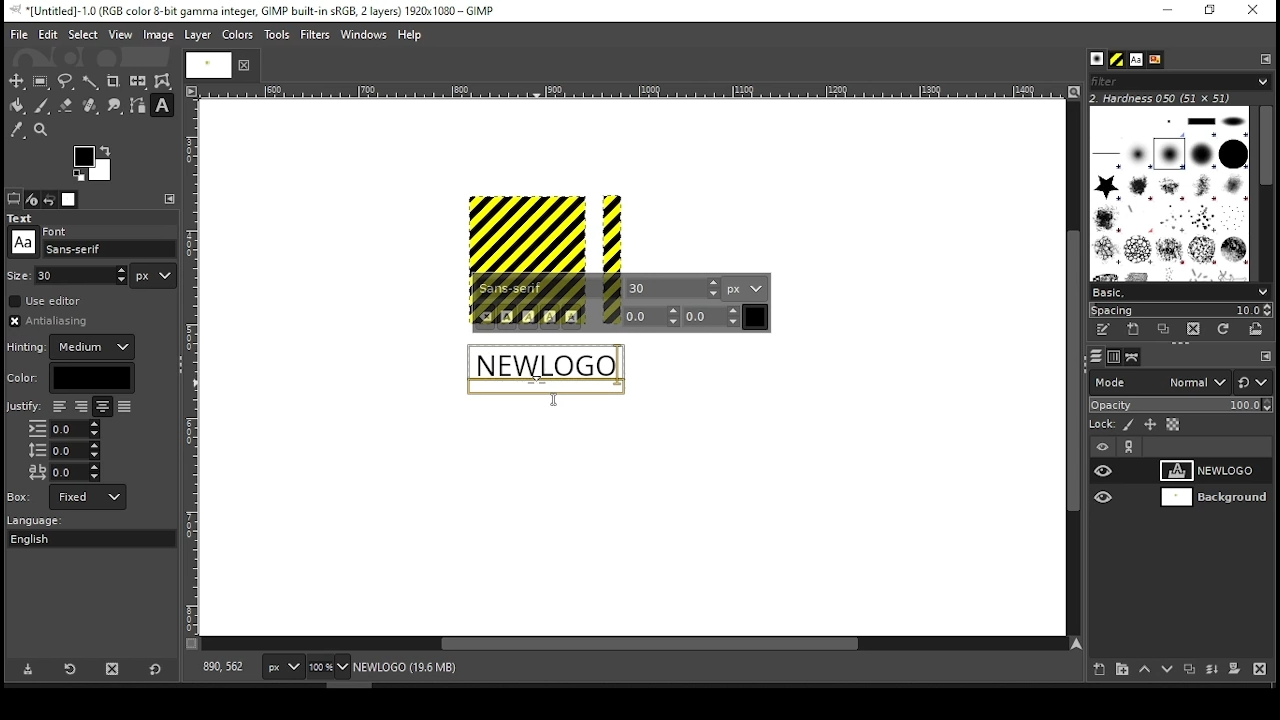 The height and width of the screenshot is (720, 1280). I want to click on font size, so click(83, 275).